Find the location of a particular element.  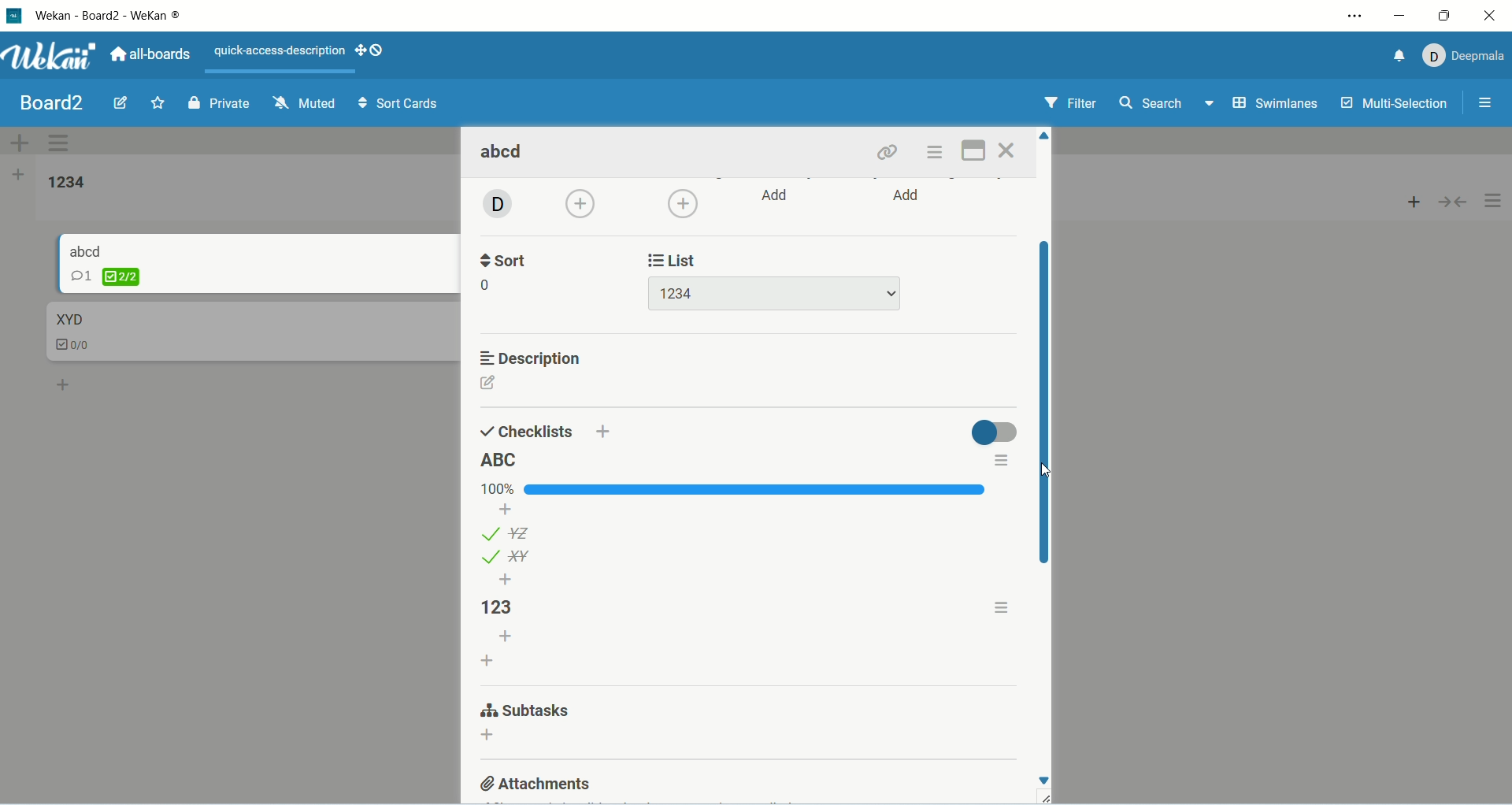

card title is located at coordinates (87, 250).